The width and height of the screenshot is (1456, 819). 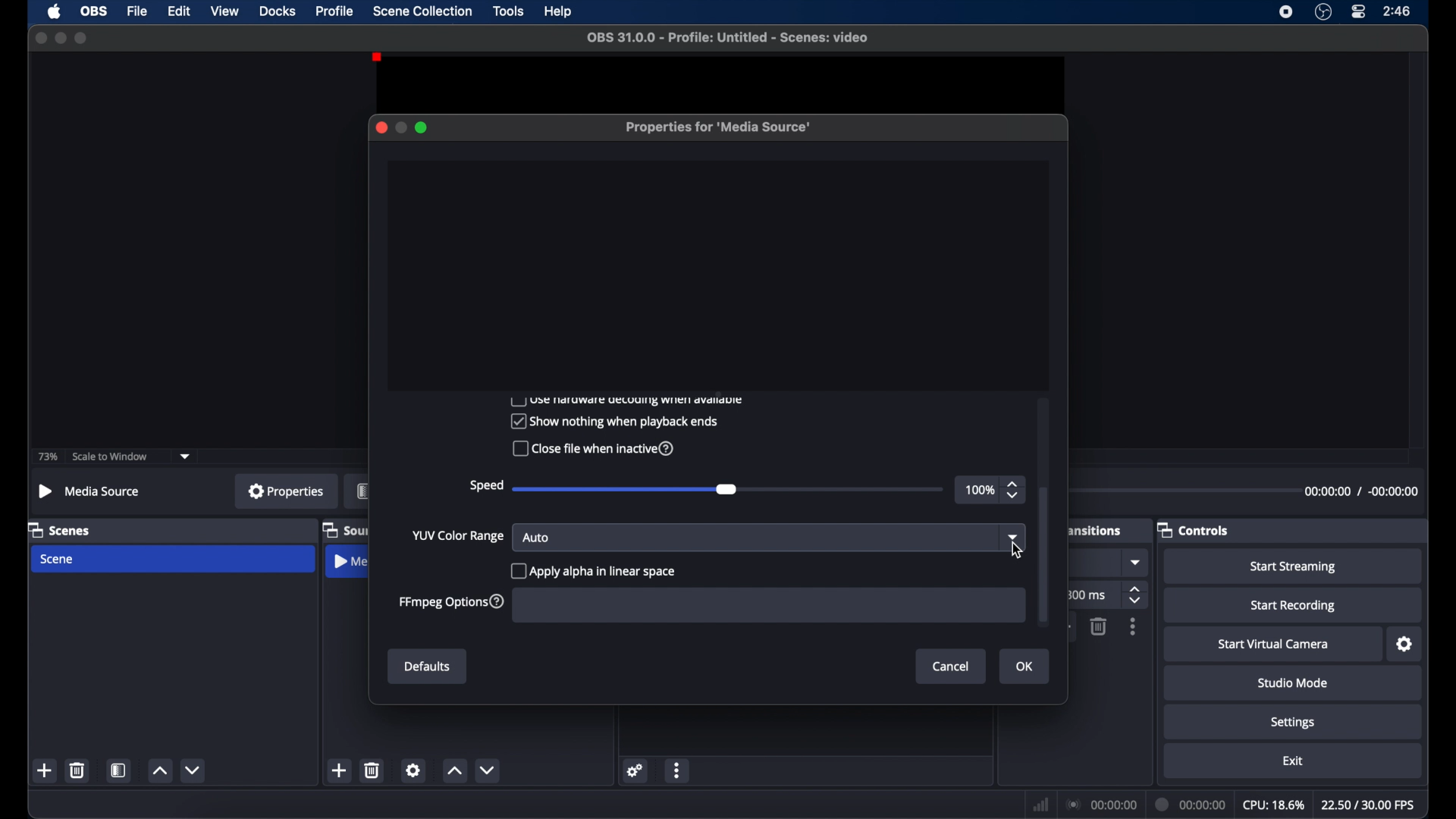 What do you see at coordinates (1286, 11) in the screenshot?
I see `screen recorder icon` at bounding box center [1286, 11].